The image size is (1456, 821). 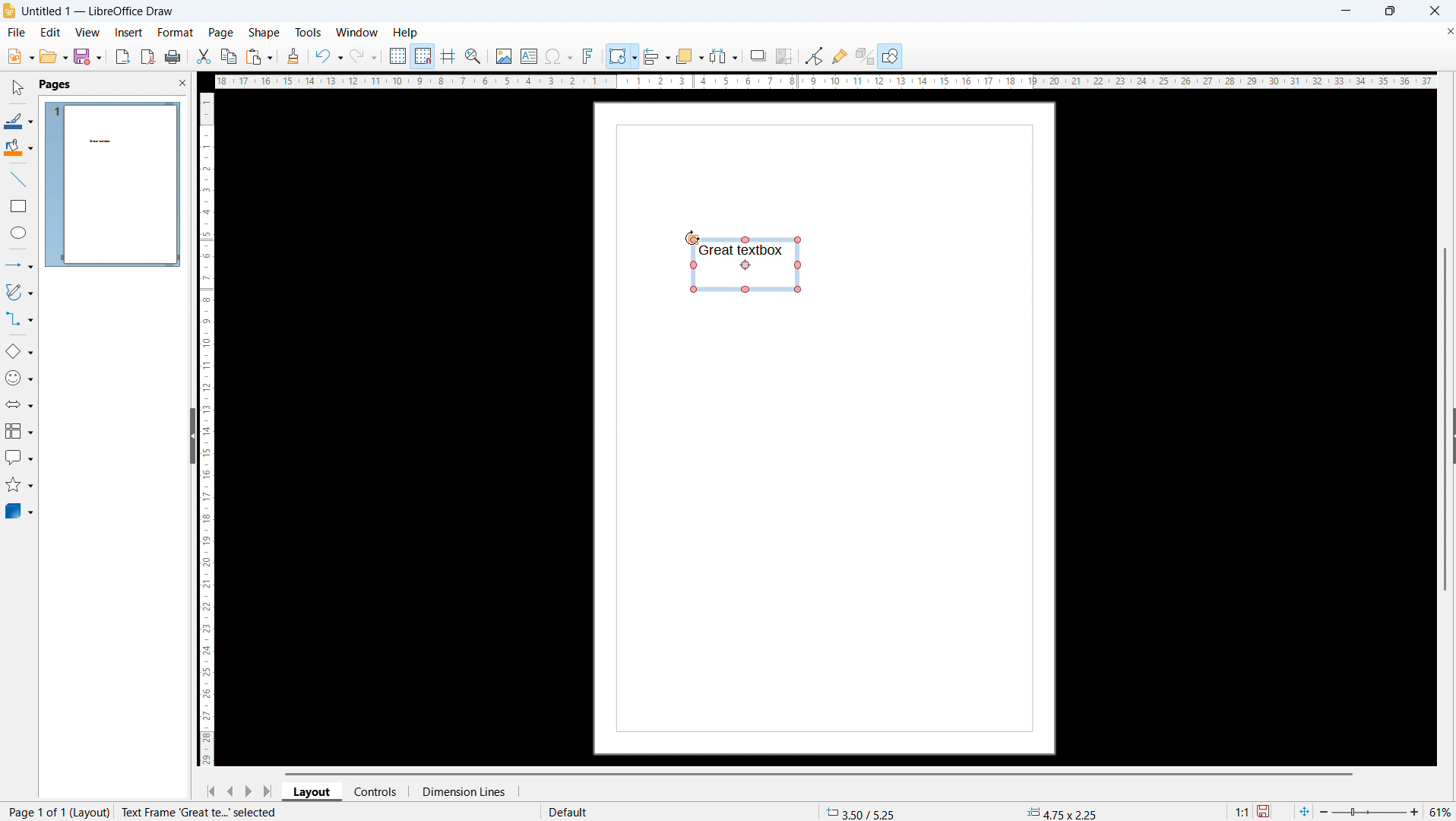 What do you see at coordinates (210, 791) in the screenshot?
I see `go to first page` at bounding box center [210, 791].